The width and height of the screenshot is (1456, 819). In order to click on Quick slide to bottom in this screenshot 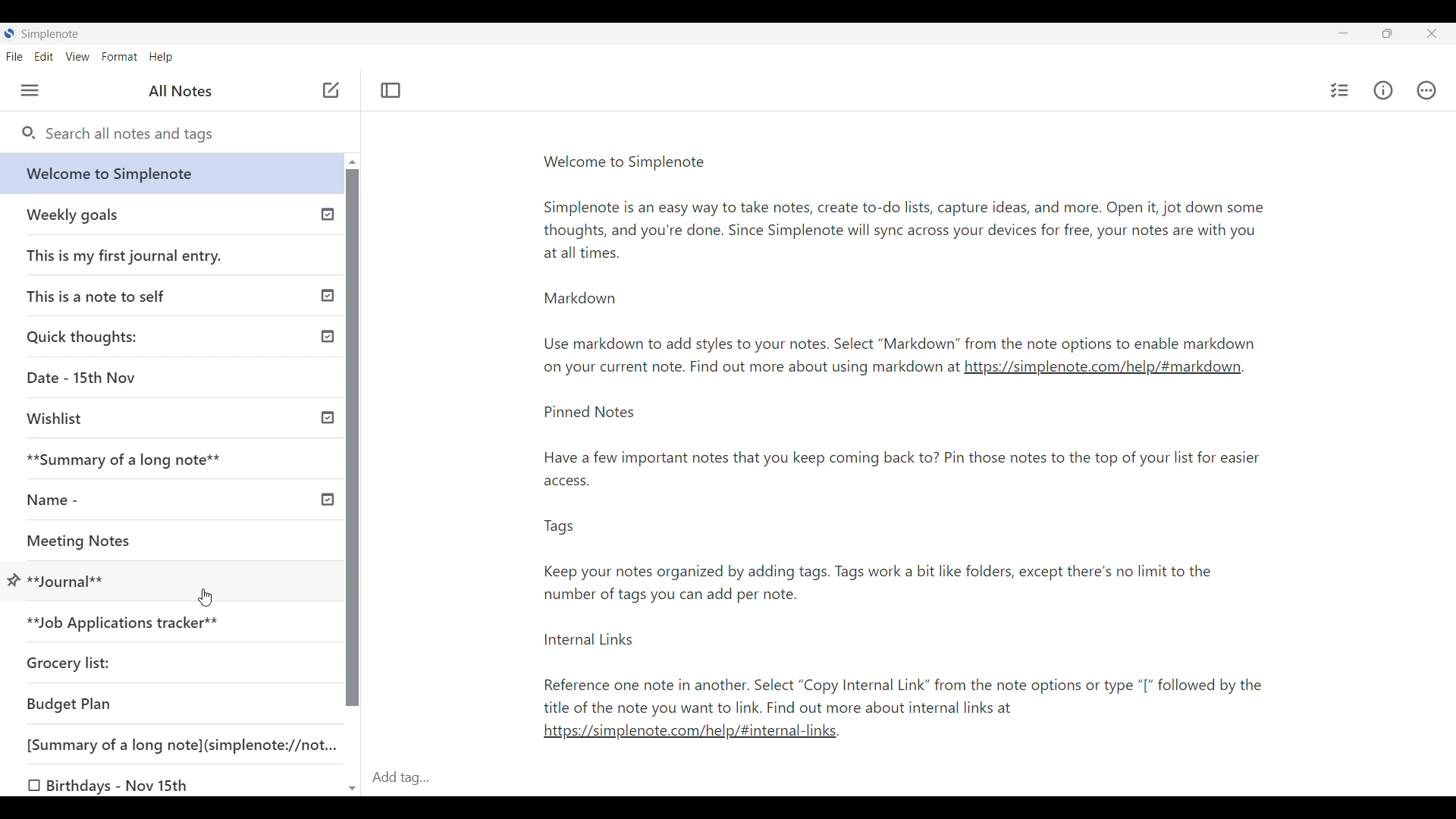, I will do `click(353, 789)`.